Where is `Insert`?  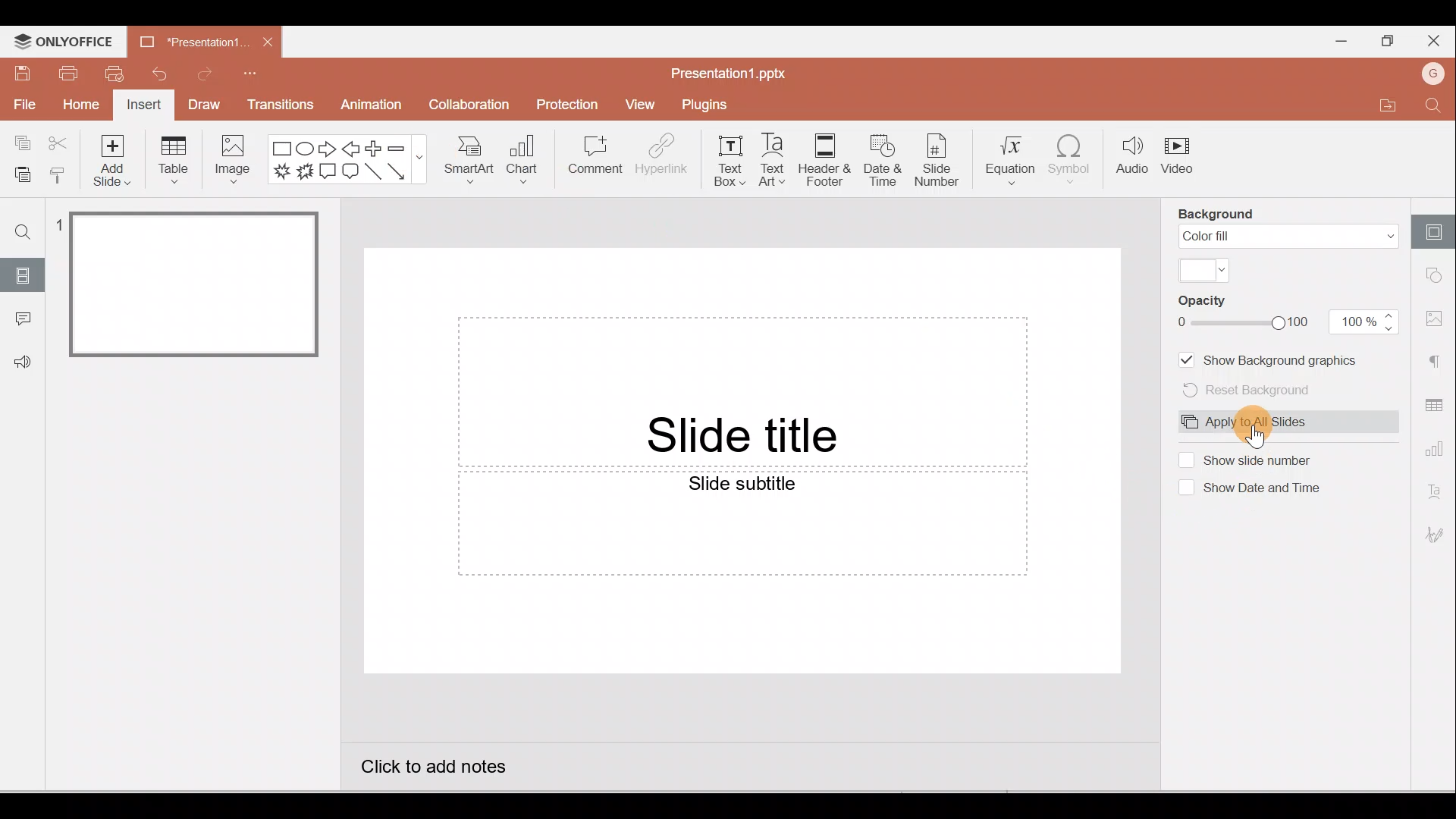
Insert is located at coordinates (143, 106).